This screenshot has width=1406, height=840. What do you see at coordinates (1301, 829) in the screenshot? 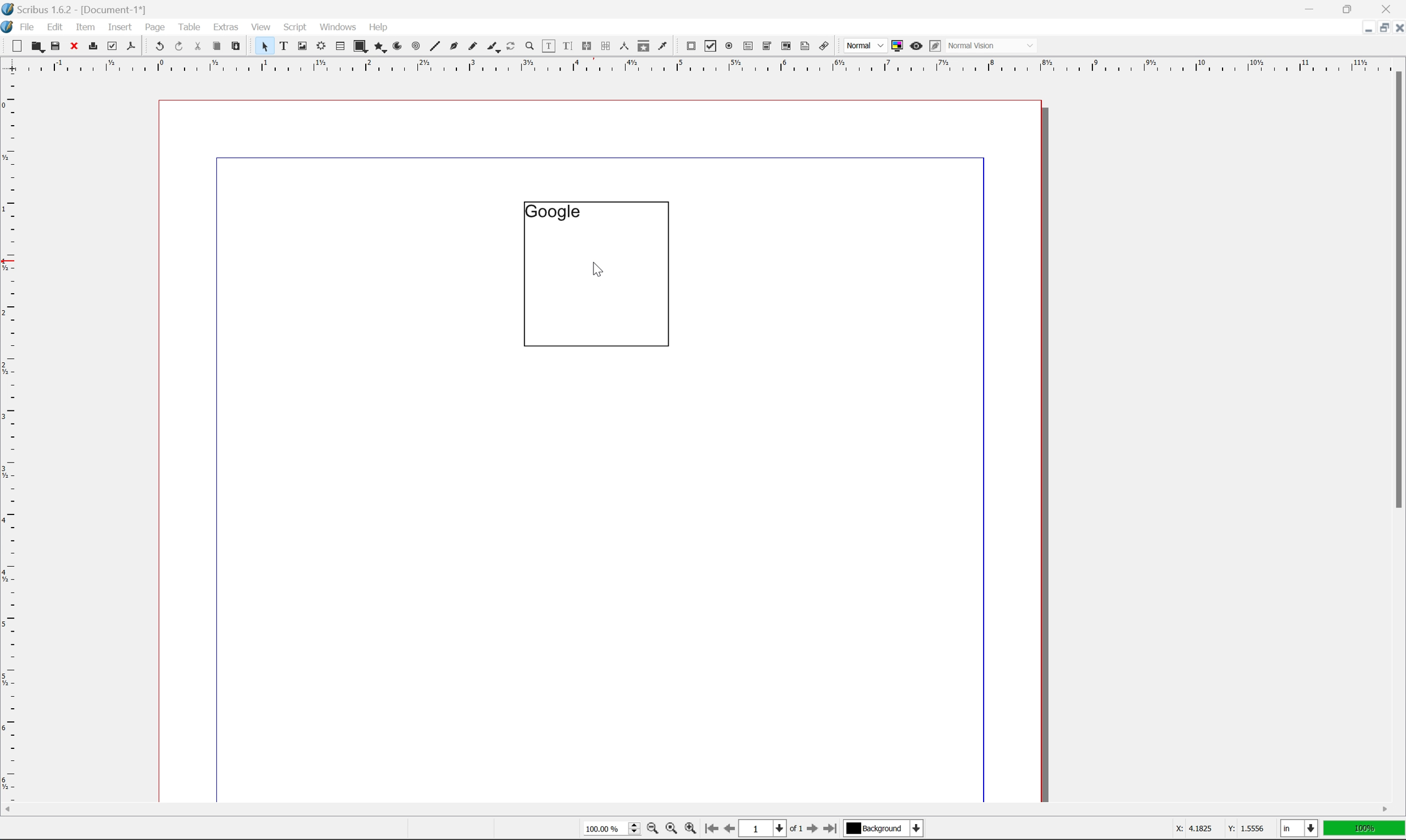
I see `select current unit` at bounding box center [1301, 829].